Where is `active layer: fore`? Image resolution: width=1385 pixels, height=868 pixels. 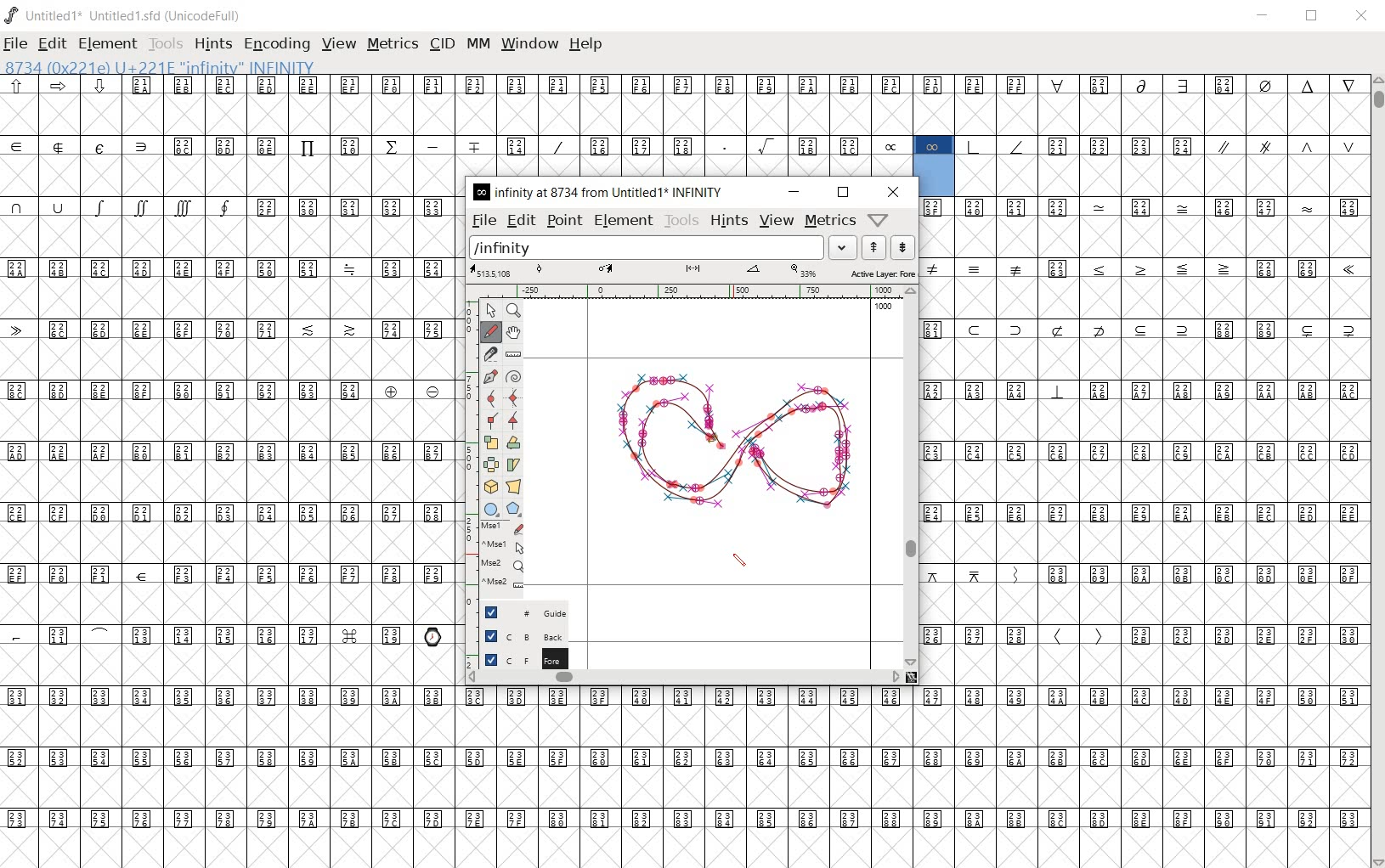
active layer: fore is located at coordinates (692, 272).